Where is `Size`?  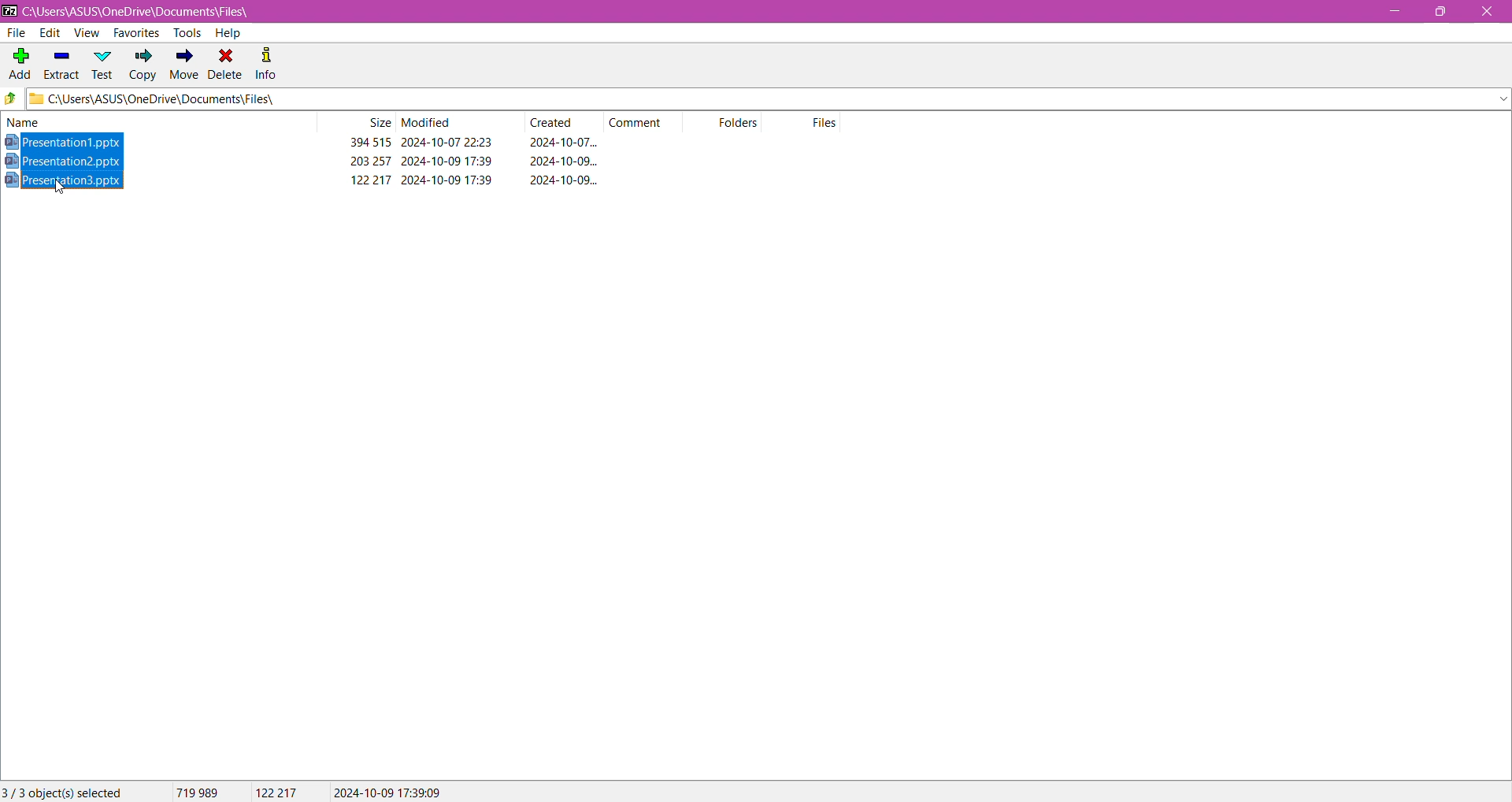 Size is located at coordinates (378, 123).